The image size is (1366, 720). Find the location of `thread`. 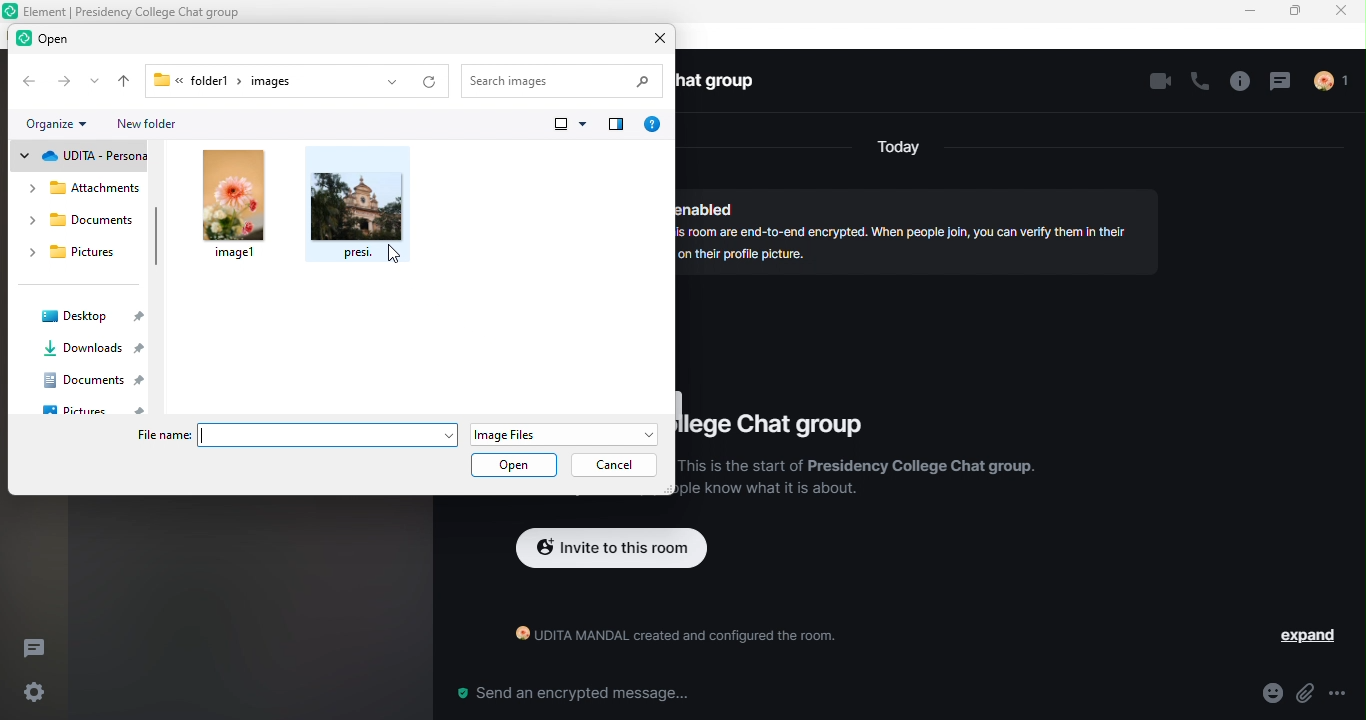

thread is located at coordinates (1285, 82).